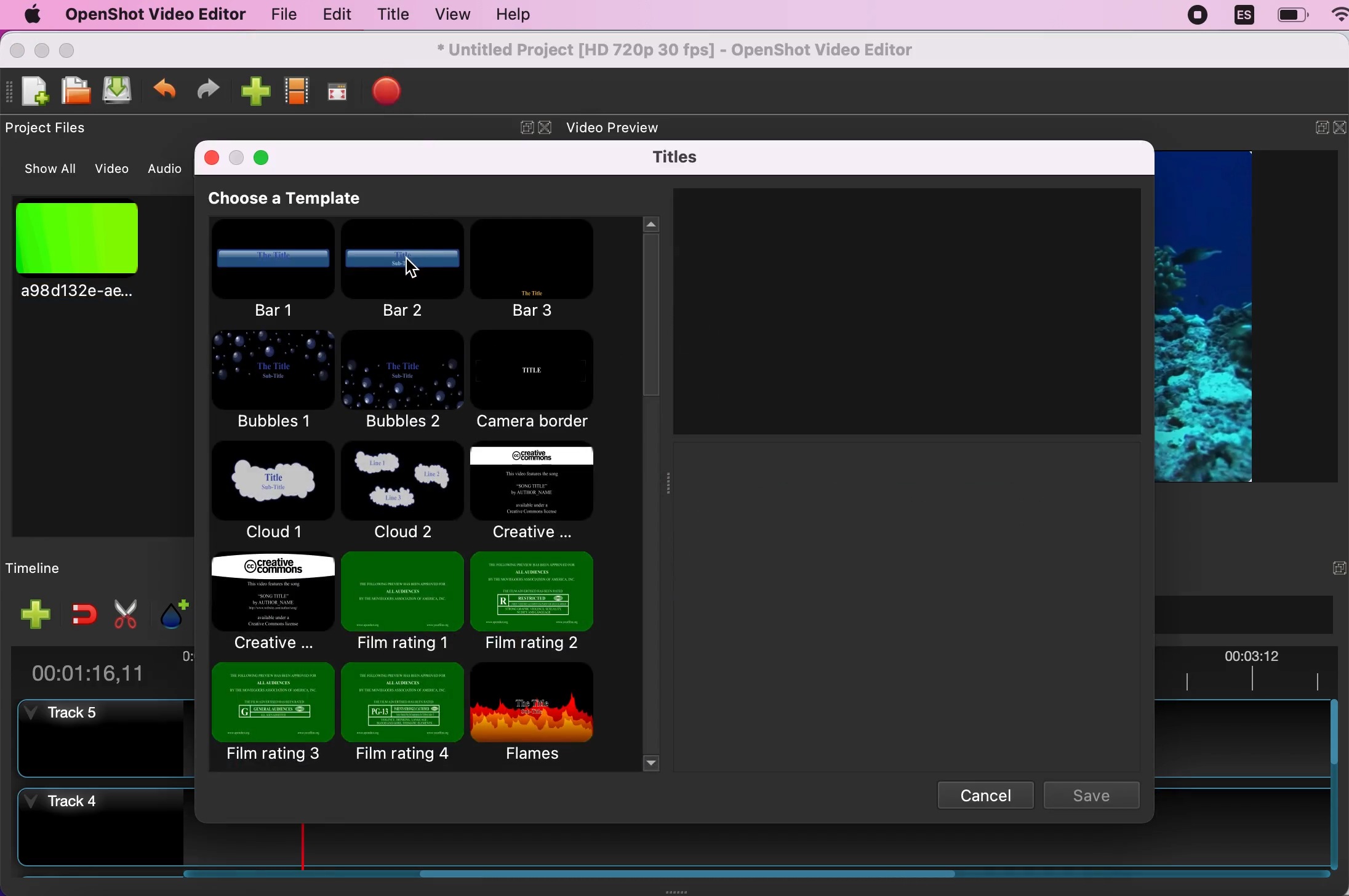  What do you see at coordinates (1091, 793) in the screenshot?
I see `save` at bounding box center [1091, 793].